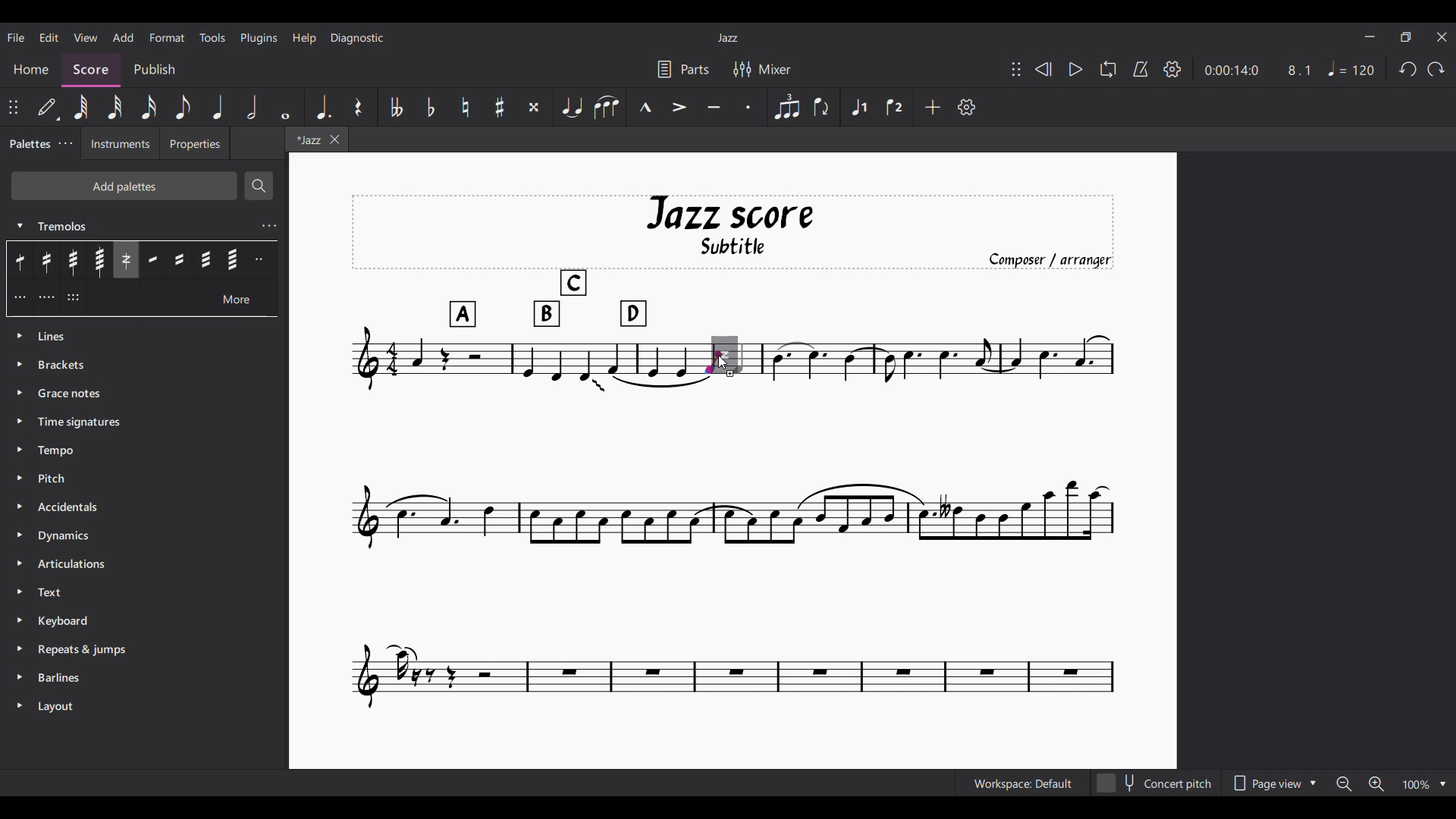  Describe the element at coordinates (1344, 784) in the screenshot. I see `Zoom out` at that location.